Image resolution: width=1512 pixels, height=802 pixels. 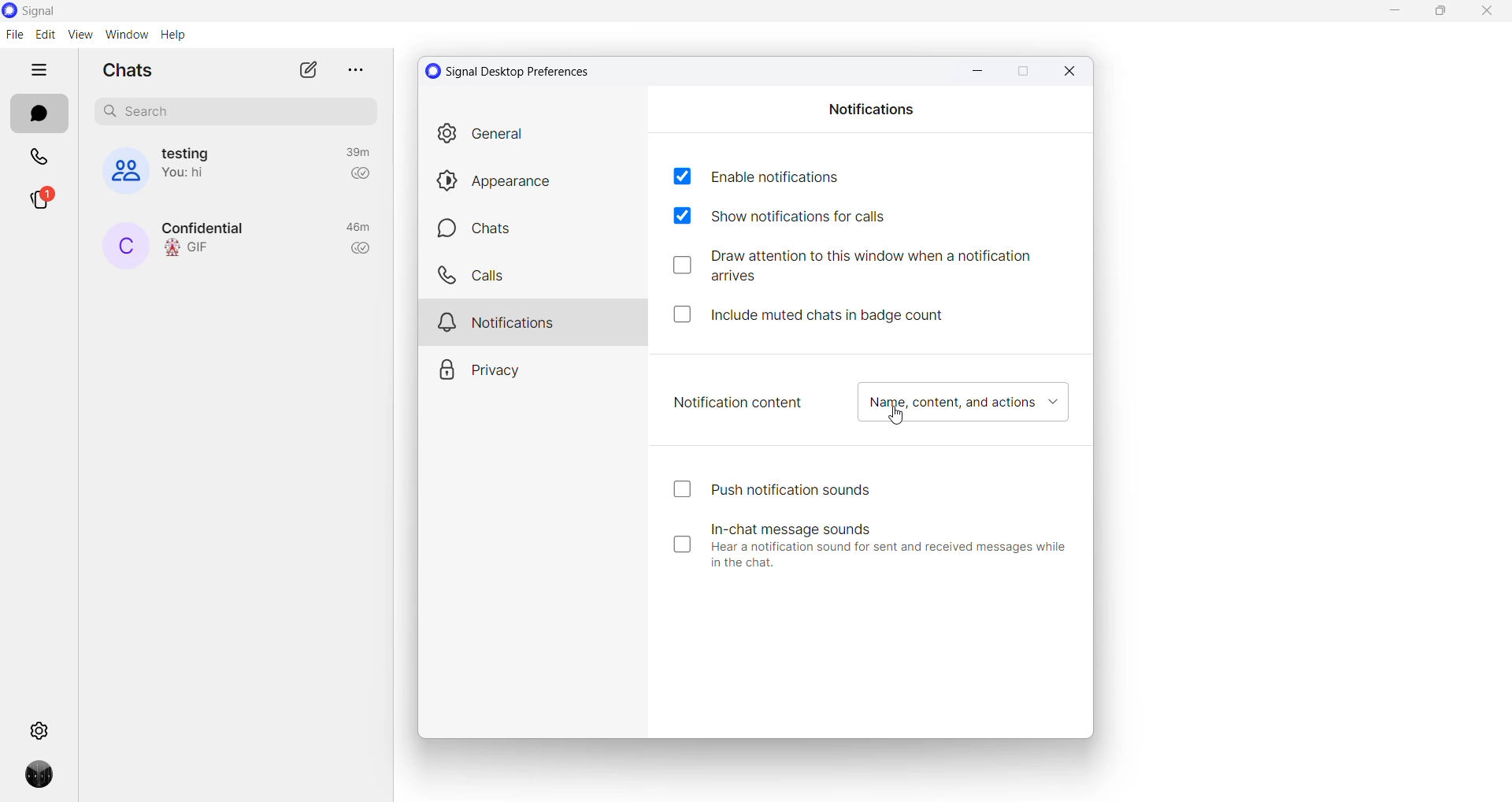 What do you see at coordinates (36, 115) in the screenshot?
I see `chats` at bounding box center [36, 115].